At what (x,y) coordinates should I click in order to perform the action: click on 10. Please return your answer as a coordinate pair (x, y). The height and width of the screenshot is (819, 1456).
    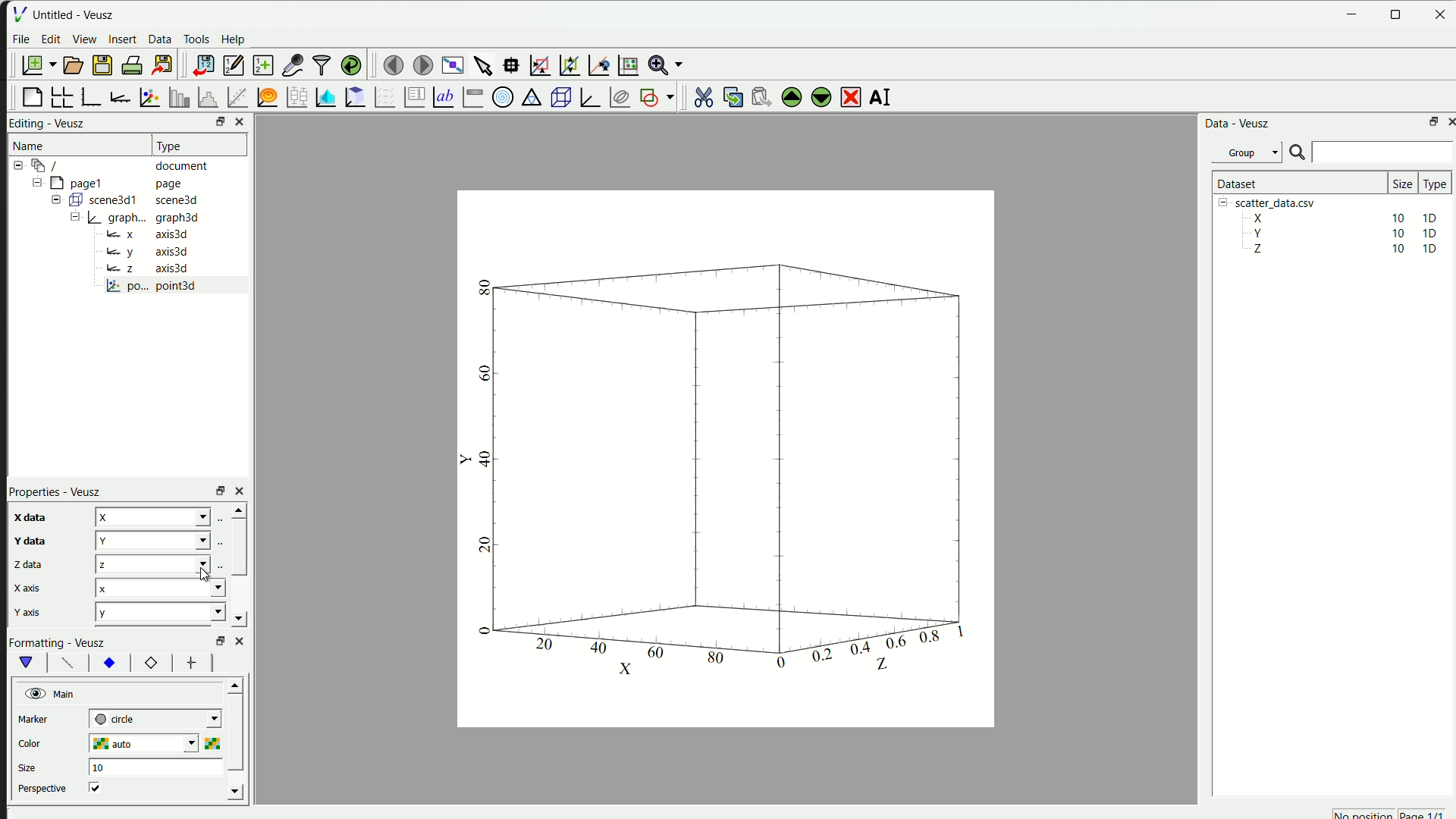
    Looking at the image, I should click on (97, 767).